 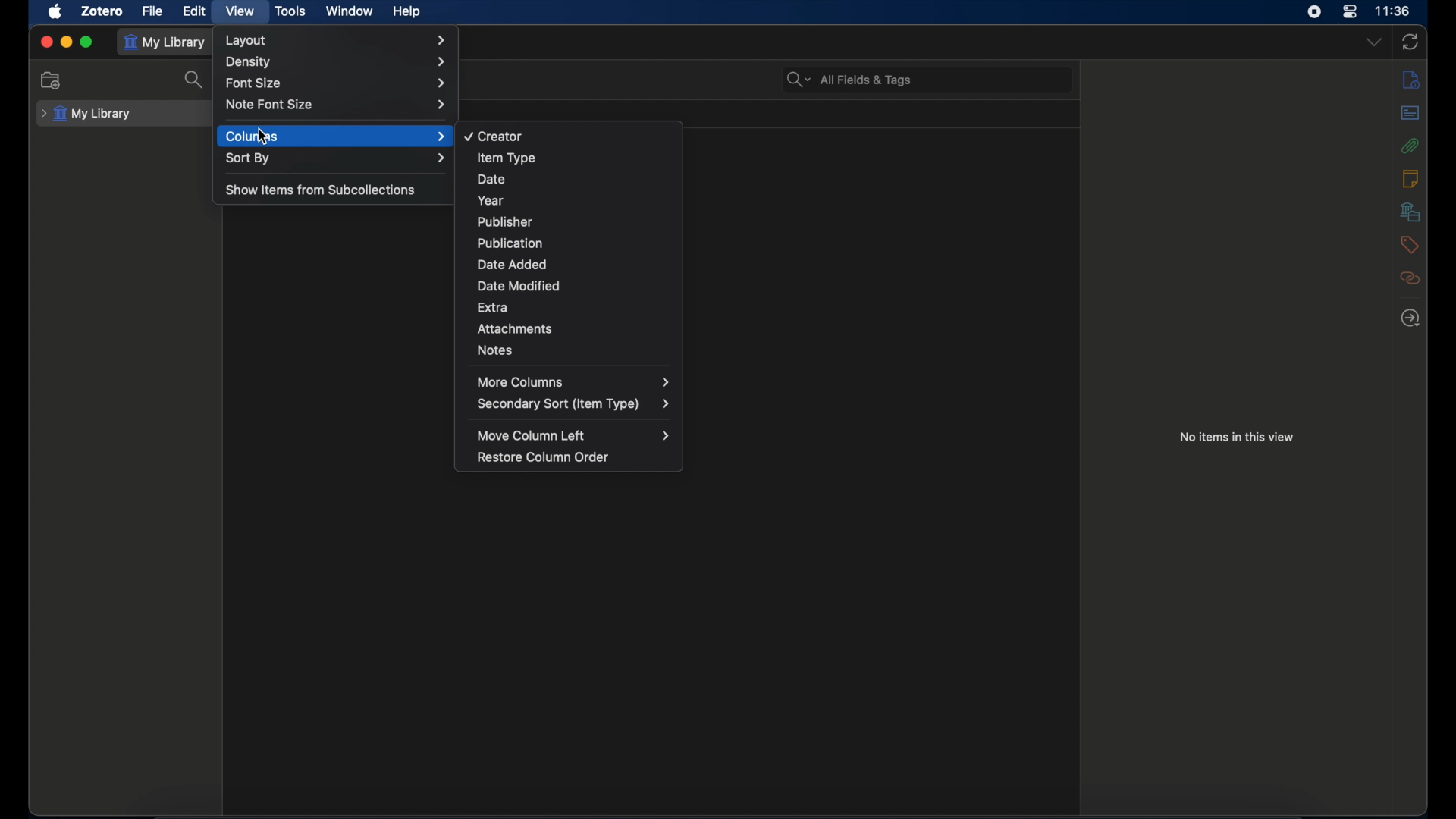 I want to click on my library, so click(x=165, y=43).